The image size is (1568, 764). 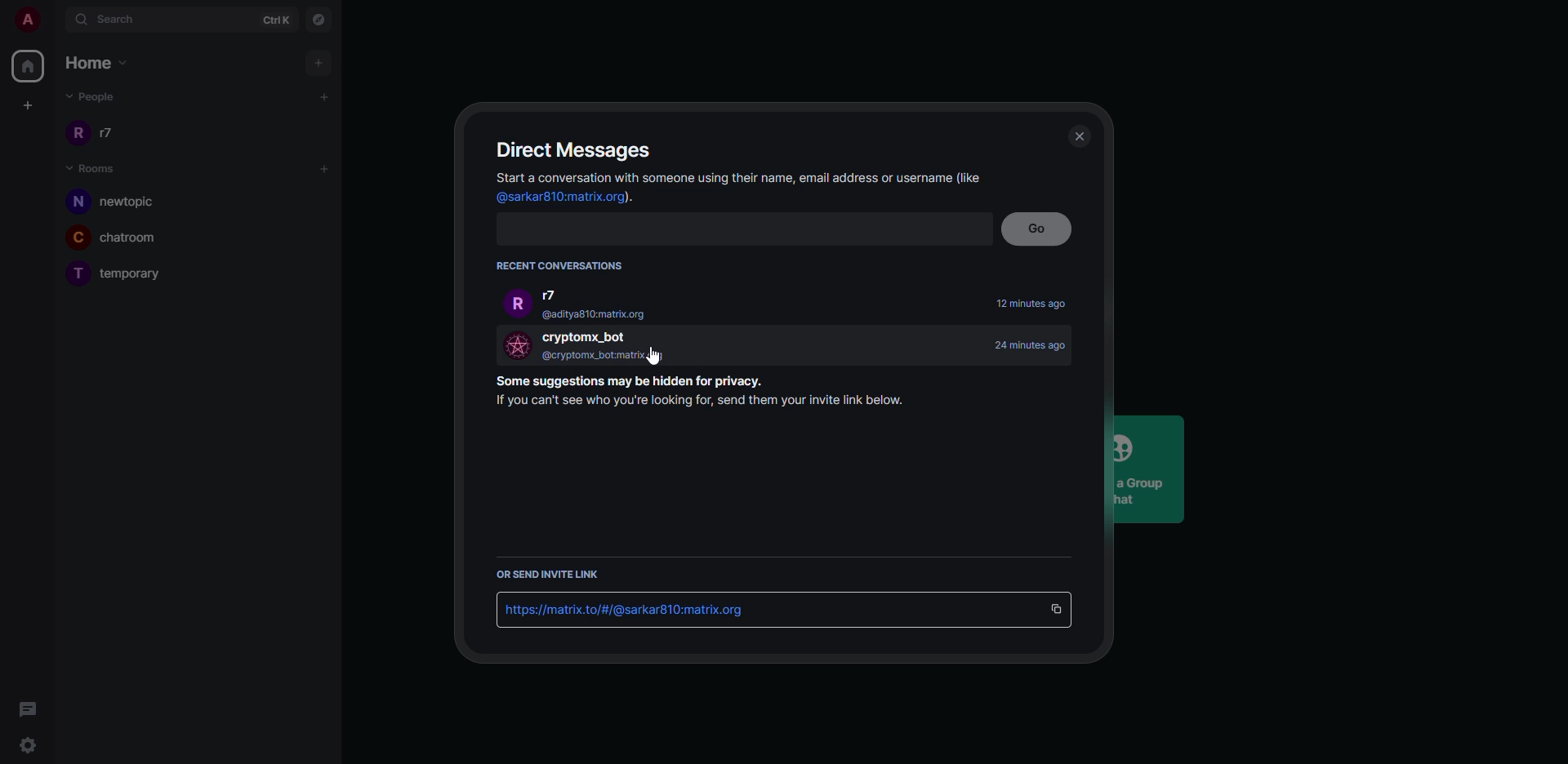 What do you see at coordinates (1053, 611) in the screenshot?
I see `copy` at bounding box center [1053, 611].